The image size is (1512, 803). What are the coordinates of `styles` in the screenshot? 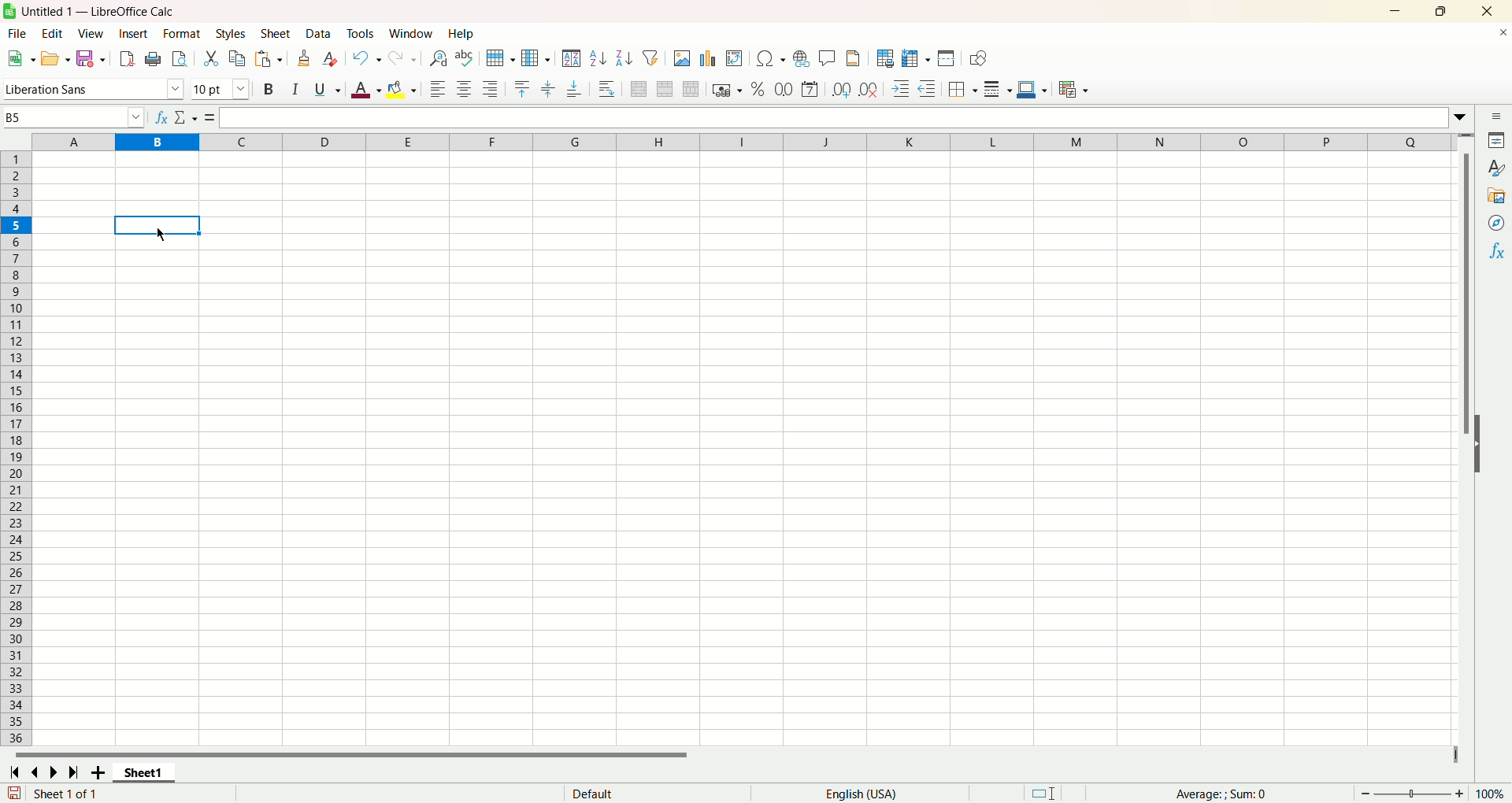 It's located at (231, 34).